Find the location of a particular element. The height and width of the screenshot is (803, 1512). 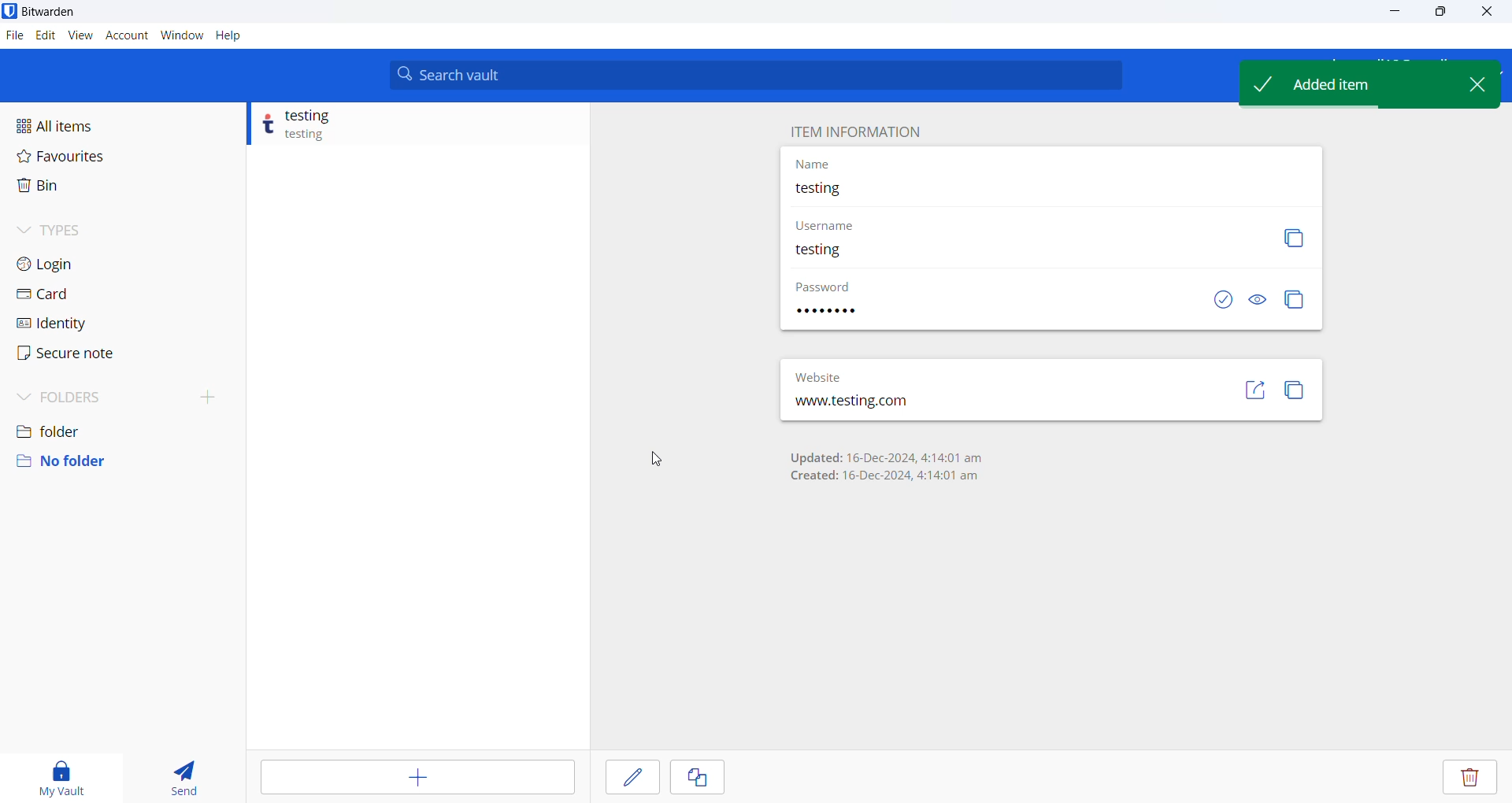

edit is located at coordinates (43, 35).